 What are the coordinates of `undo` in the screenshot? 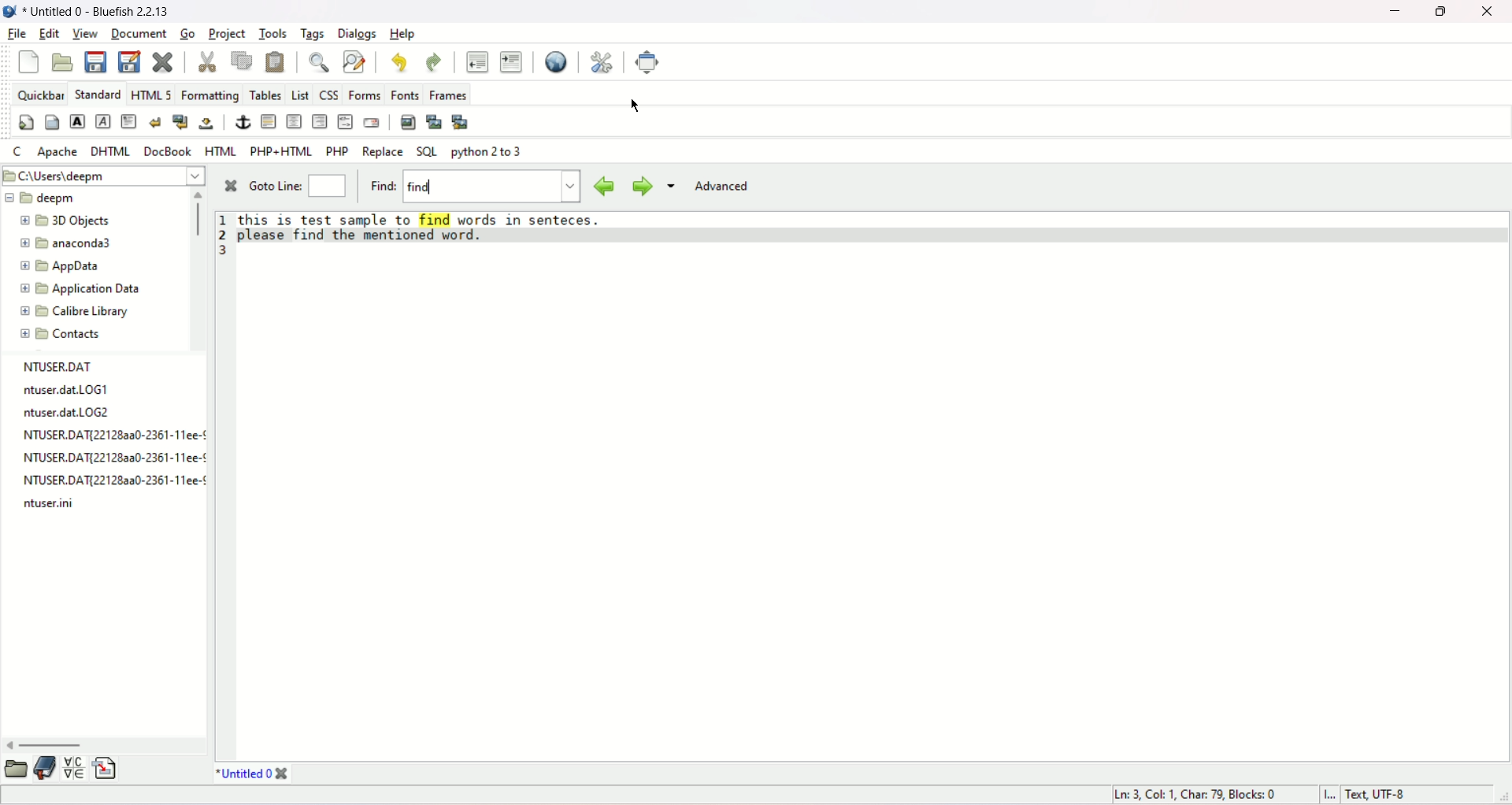 It's located at (401, 61).